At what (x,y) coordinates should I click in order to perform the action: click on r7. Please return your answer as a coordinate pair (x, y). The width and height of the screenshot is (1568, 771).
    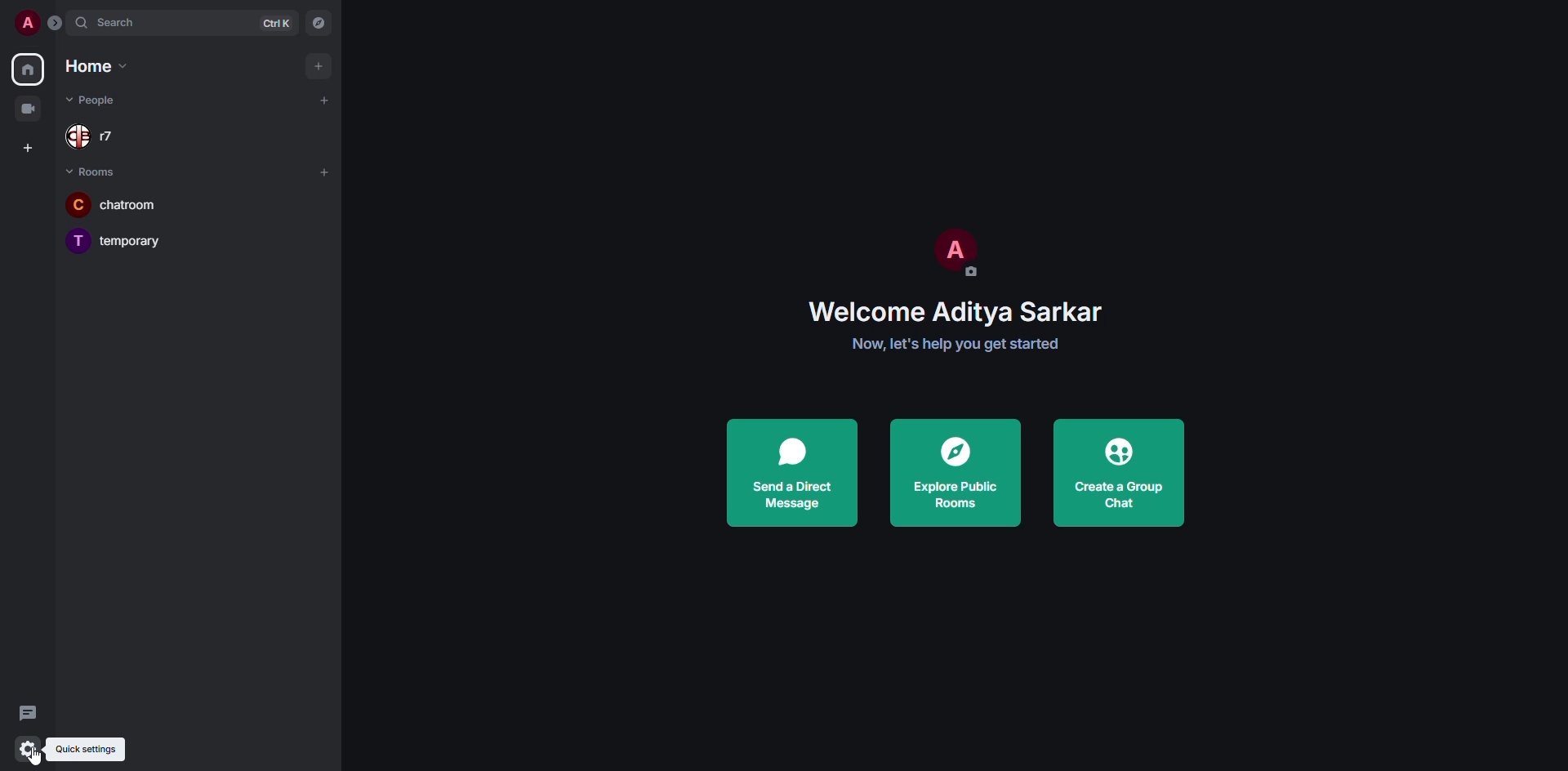
    Looking at the image, I should click on (93, 136).